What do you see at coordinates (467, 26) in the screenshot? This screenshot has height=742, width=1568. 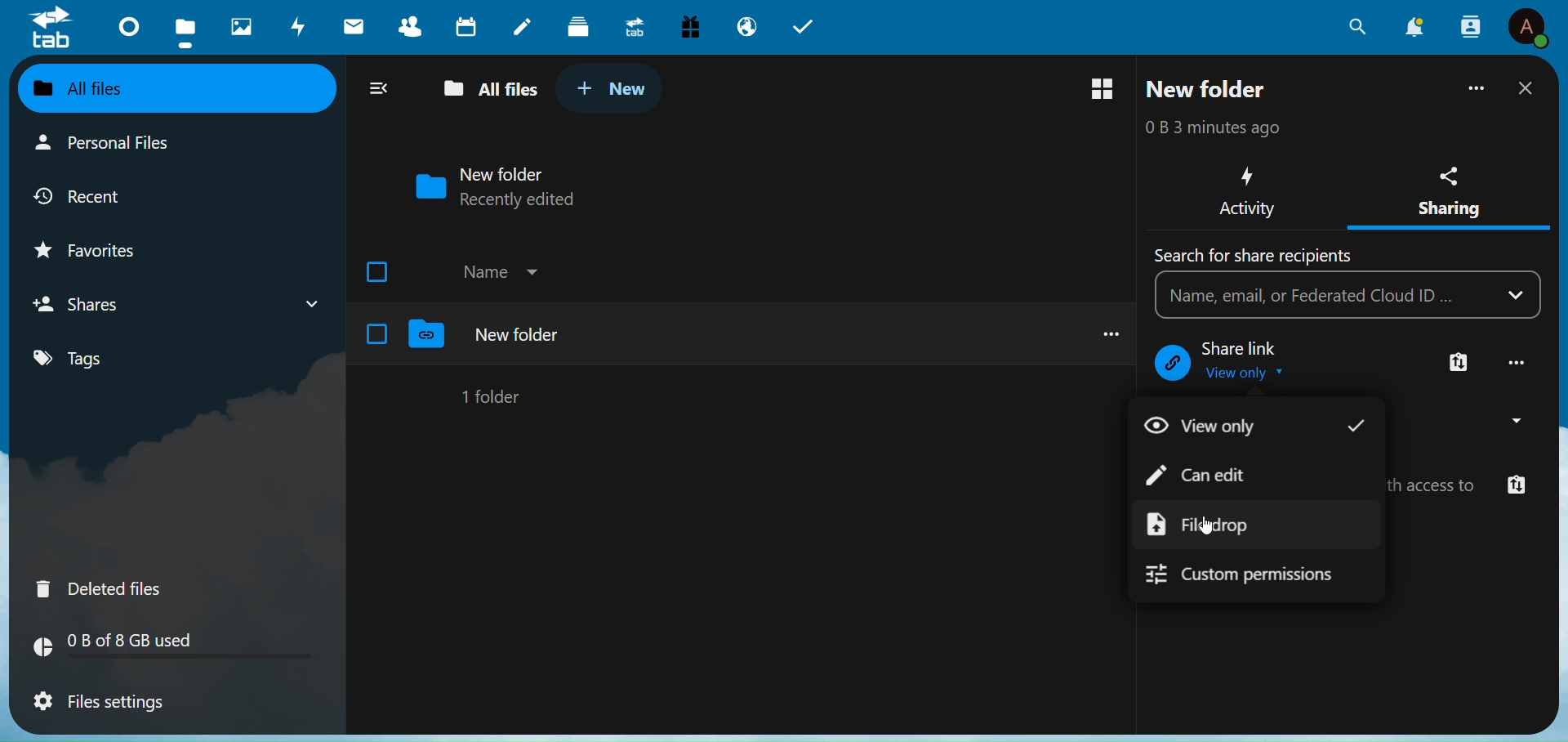 I see `Calendar` at bounding box center [467, 26].